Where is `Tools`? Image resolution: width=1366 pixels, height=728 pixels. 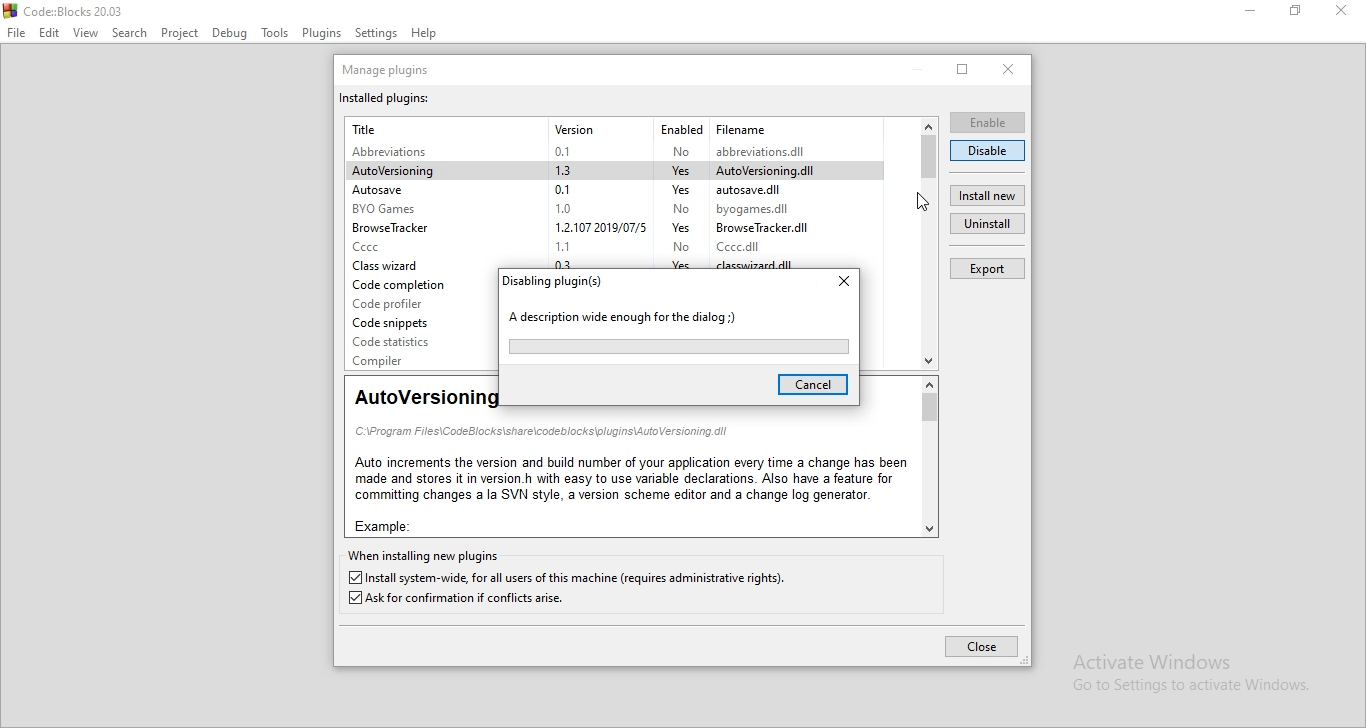 Tools is located at coordinates (275, 34).